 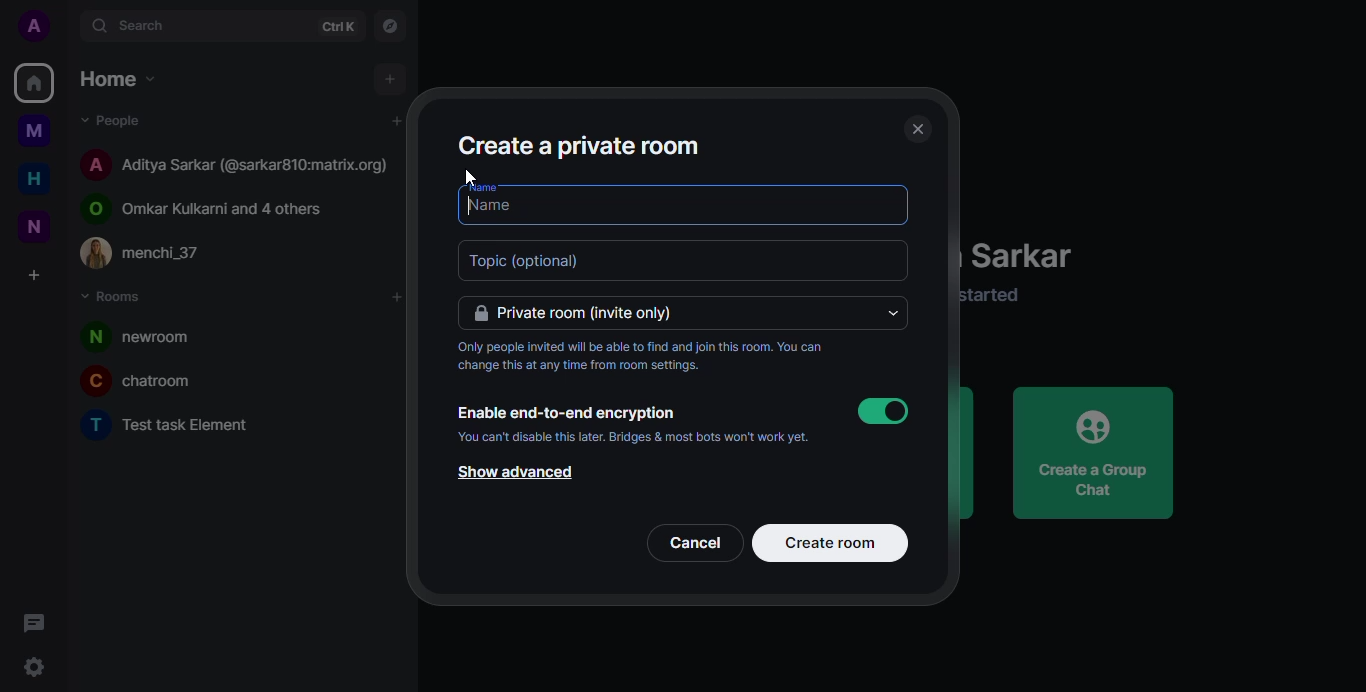 What do you see at coordinates (397, 297) in the screenshot?
I see `add` at bounding box center [397, 297].